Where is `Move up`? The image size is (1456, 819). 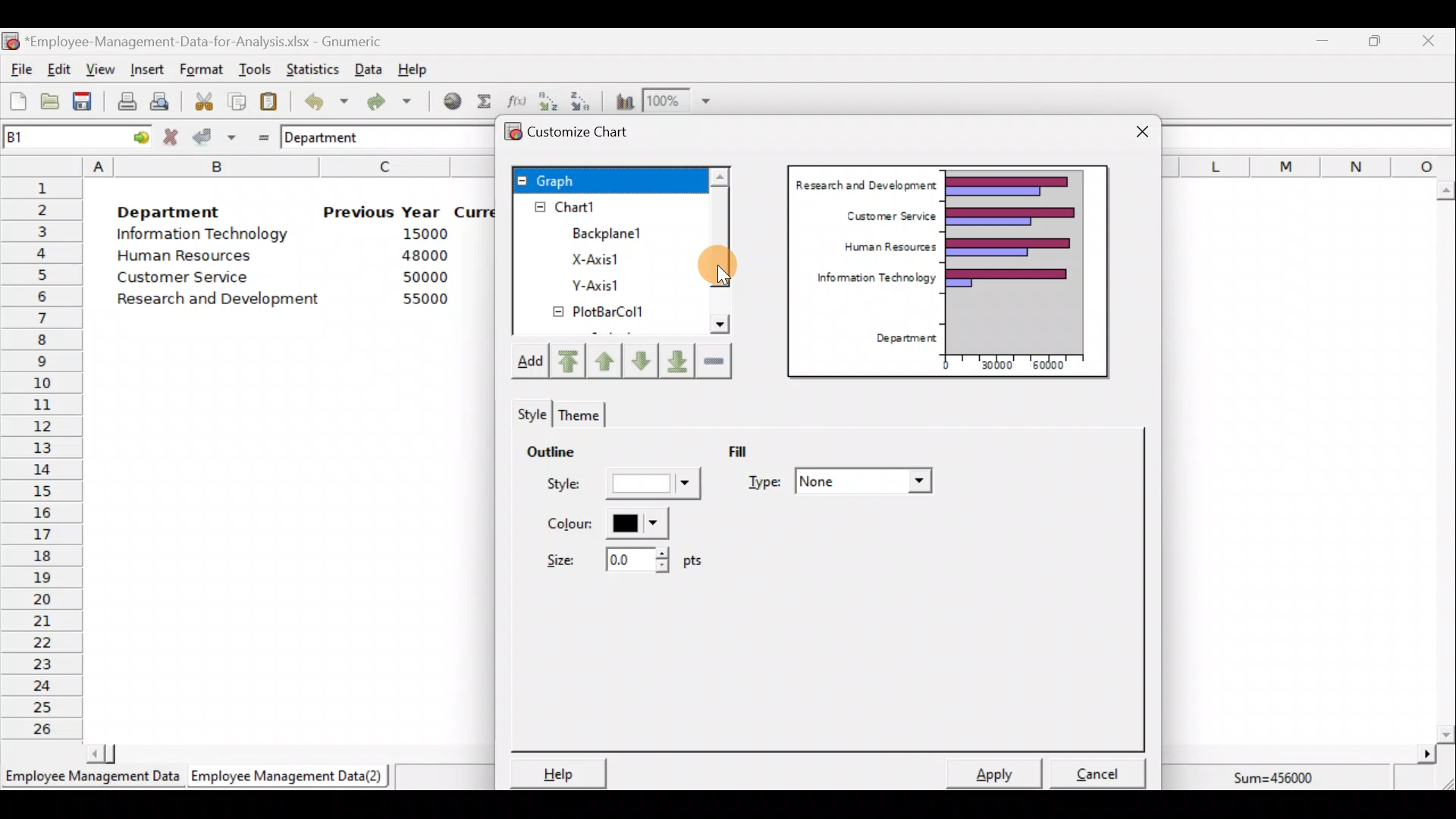 Move up is located at coordinates (604, 359).